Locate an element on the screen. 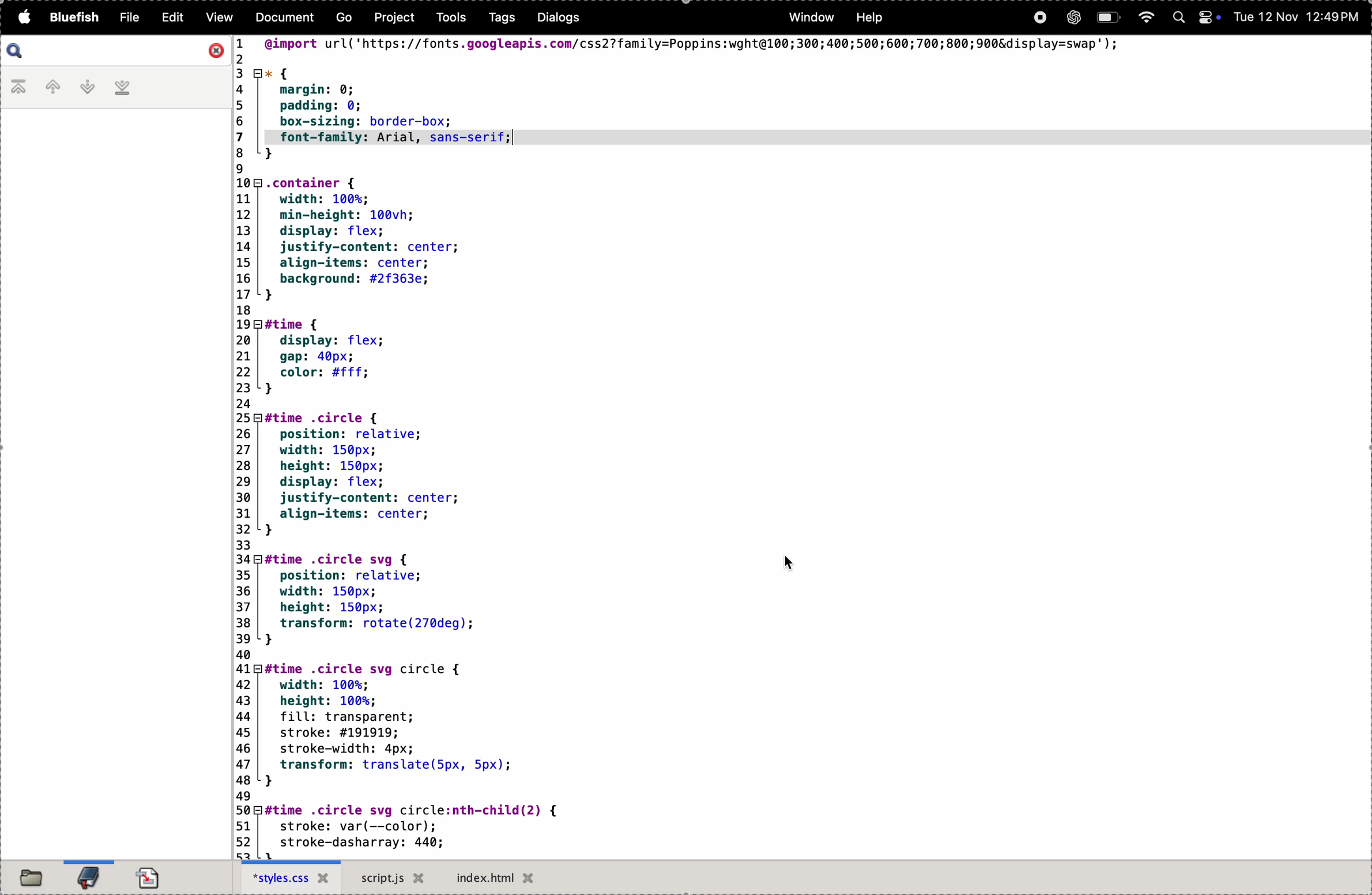 This screenshot has height=895, width=1372. last bookmark is located at coordinates (125, 89).